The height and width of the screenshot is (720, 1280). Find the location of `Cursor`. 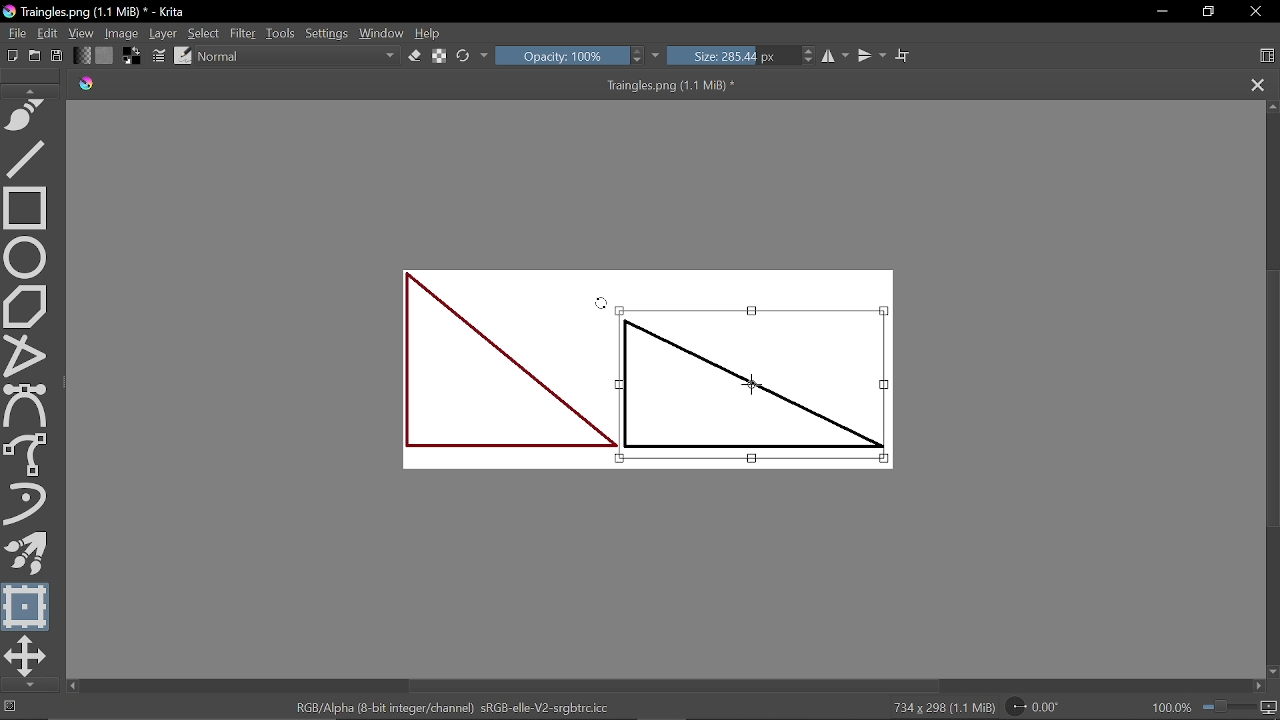

Cursor is located at coordinates (750, 384).